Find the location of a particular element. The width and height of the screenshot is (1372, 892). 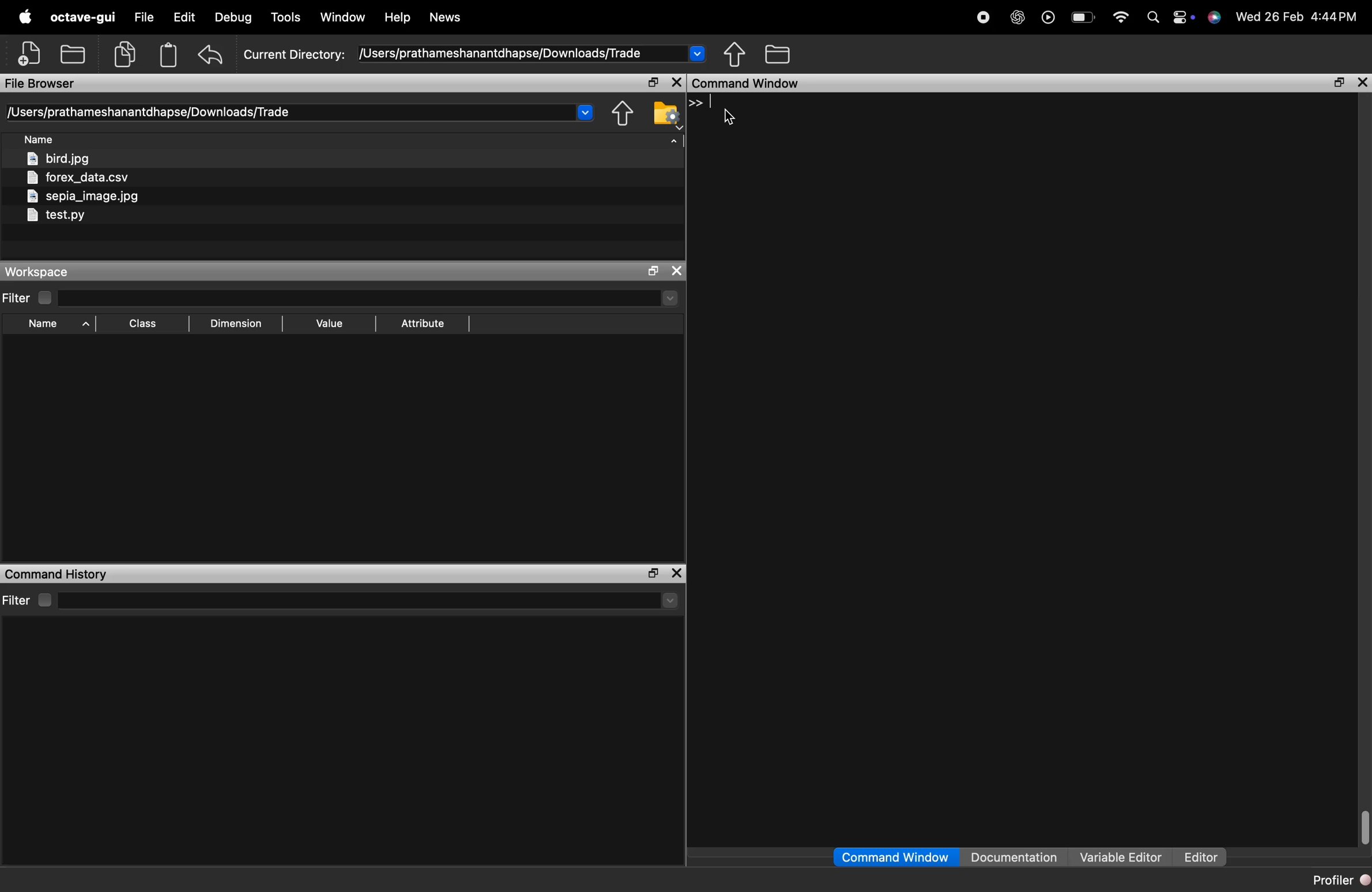

Drop-down  is located at coordinates (670, 297).